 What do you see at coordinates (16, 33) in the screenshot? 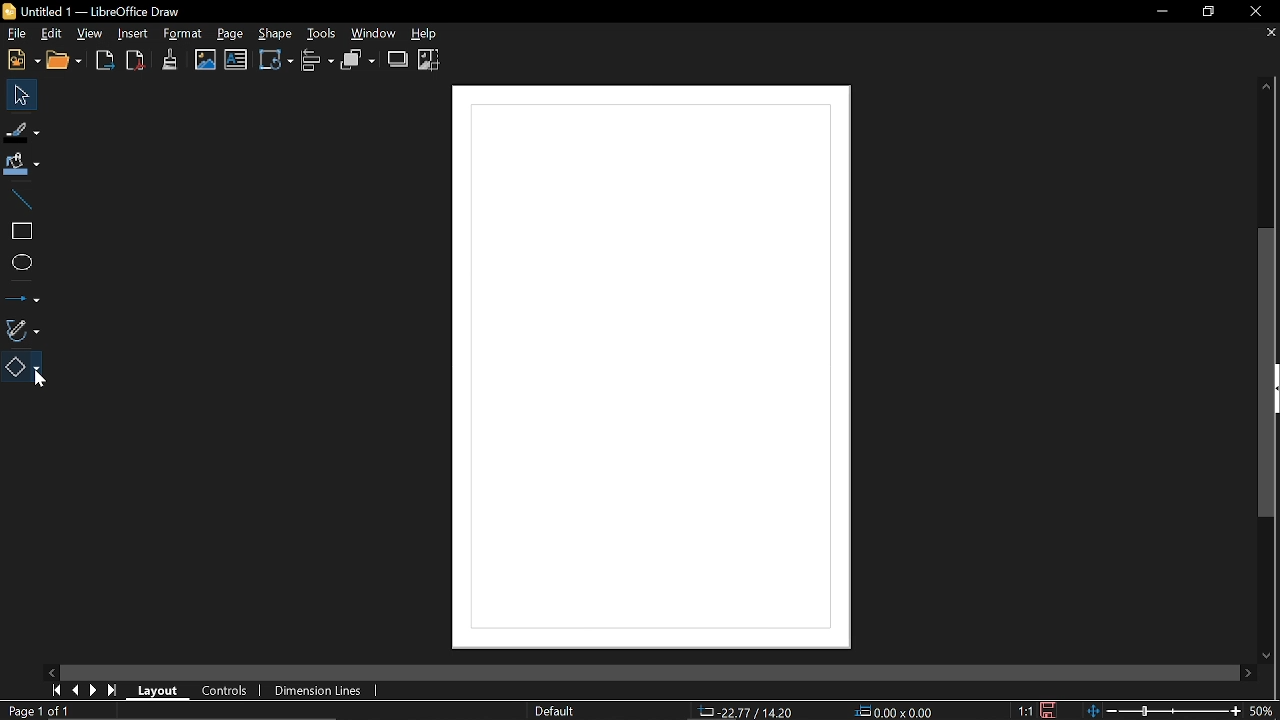
I see `File` at bounding box center [16, 33].